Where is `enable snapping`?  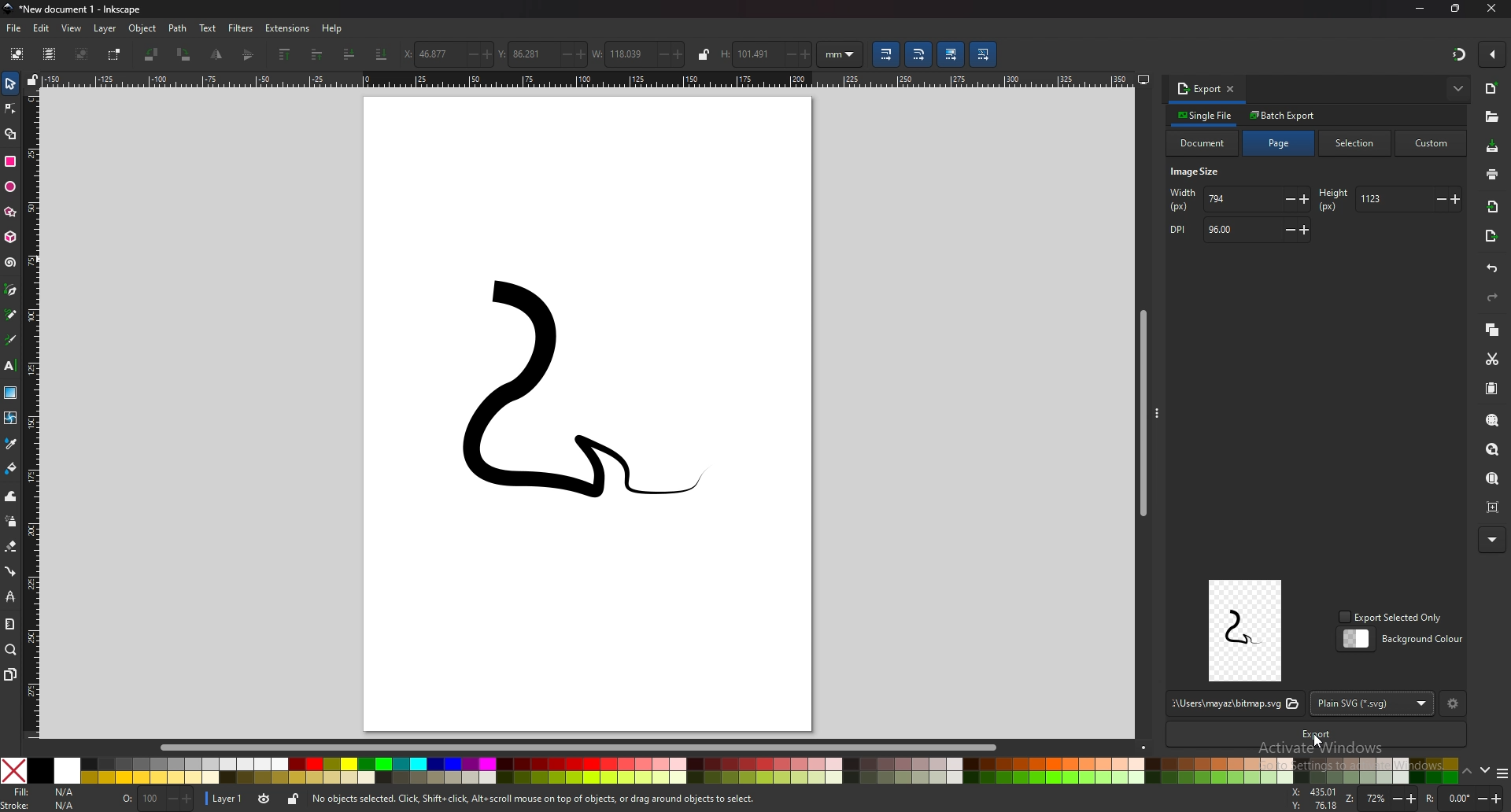
enable snapping is located at coordinates (1492, 54).